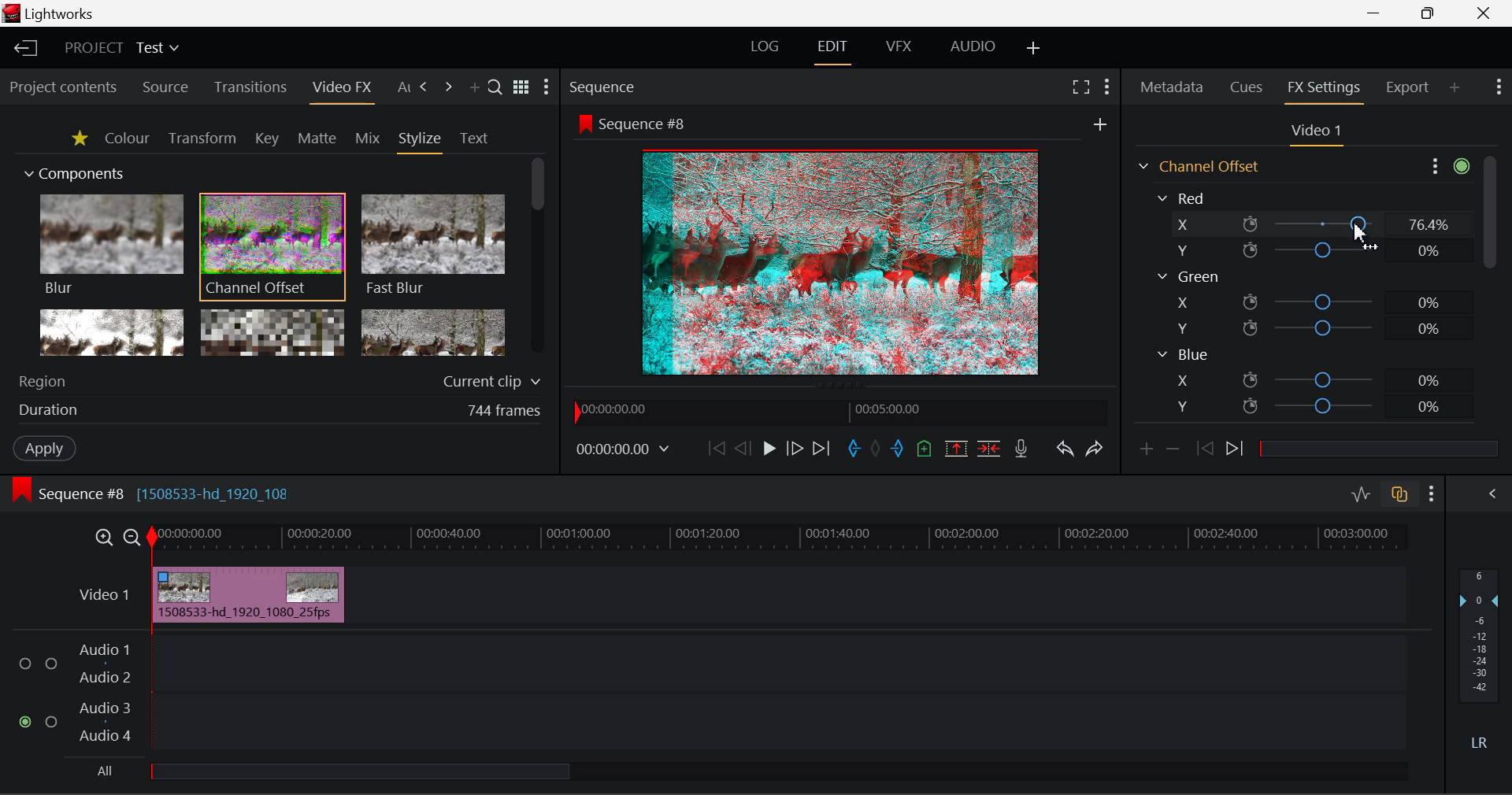 The height and width of the screenshot is (795, 1512). What do you see at coordinates (1314, 134) in the screenshot?
I see `Video Settings` at bounding box center [1314, 134].